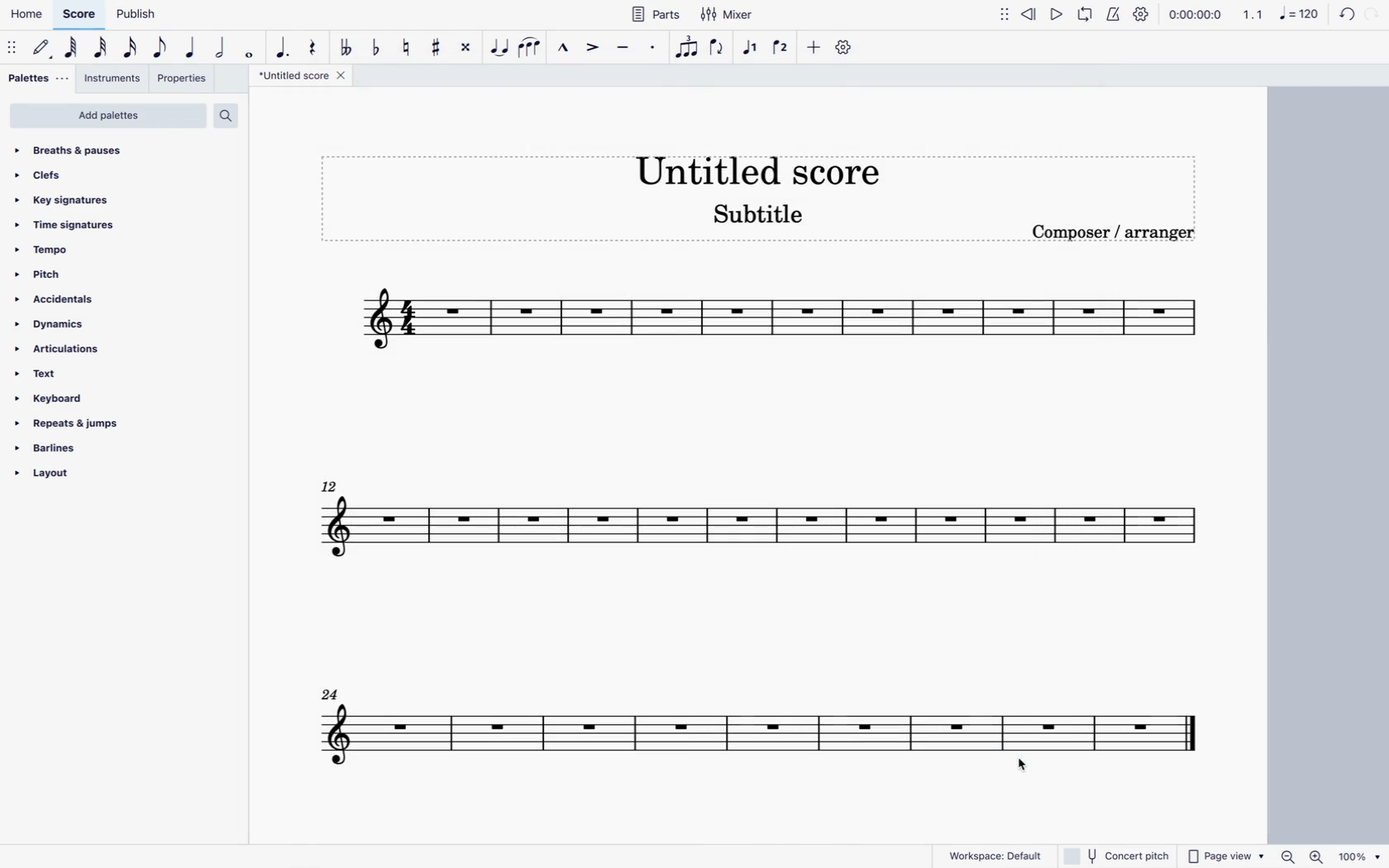  I want to click on stacatto, so click(652, 50).